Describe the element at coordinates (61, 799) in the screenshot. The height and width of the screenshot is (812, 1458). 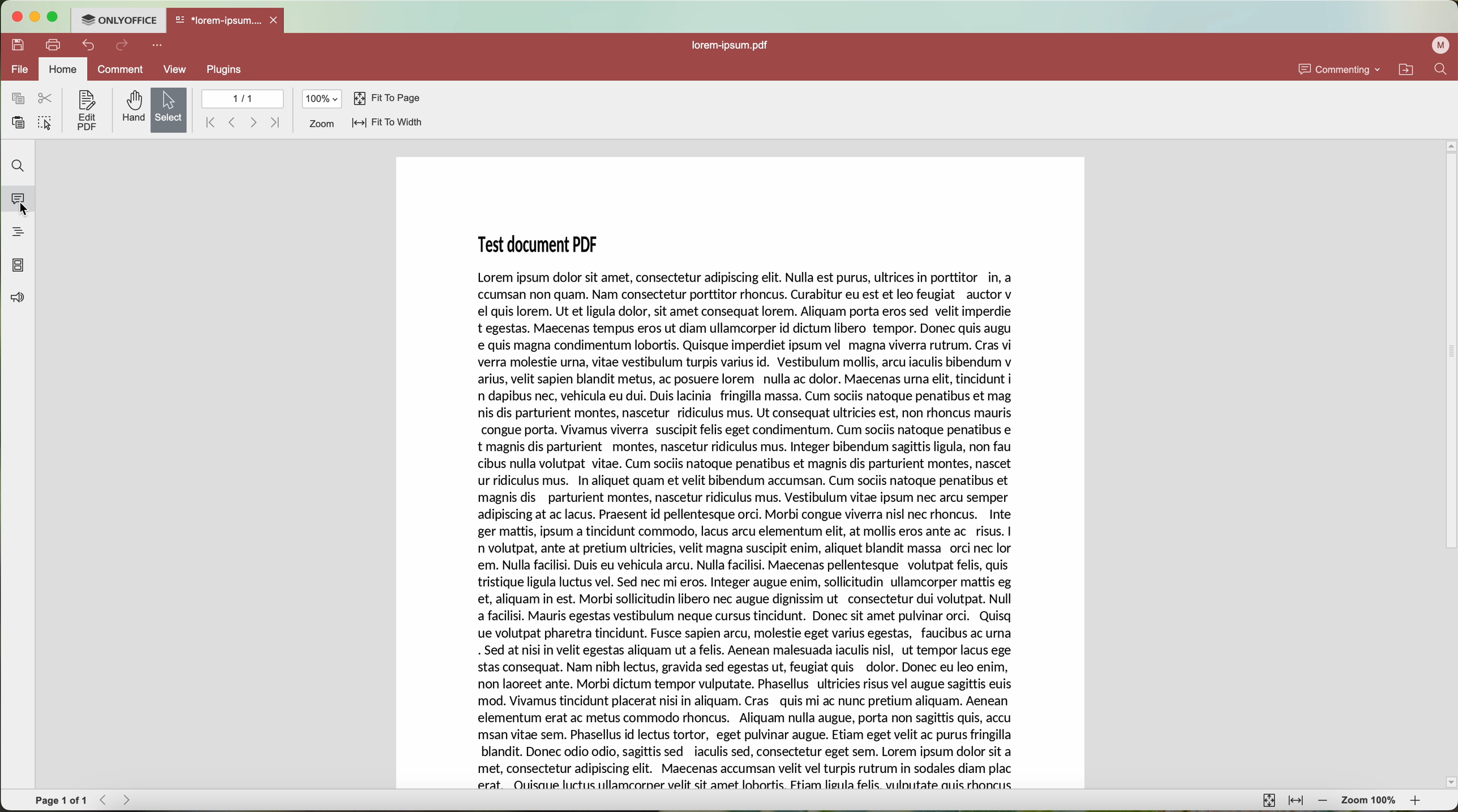
I see `page 1 of 1` at that location.